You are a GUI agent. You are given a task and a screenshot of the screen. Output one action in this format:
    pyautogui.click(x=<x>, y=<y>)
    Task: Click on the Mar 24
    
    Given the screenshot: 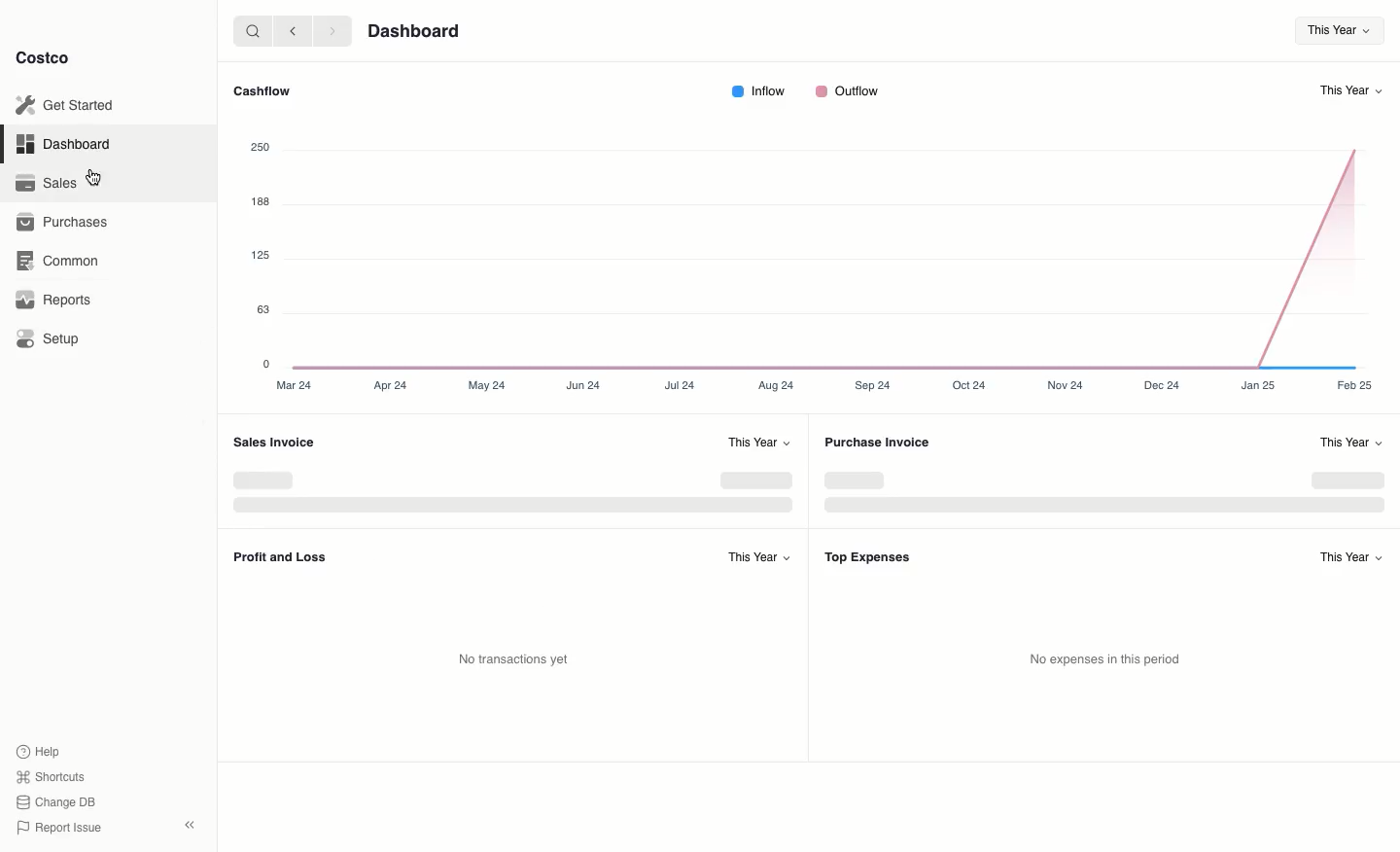 What is the action you would take?
    pyautogui.click(x=296, y=385)
    